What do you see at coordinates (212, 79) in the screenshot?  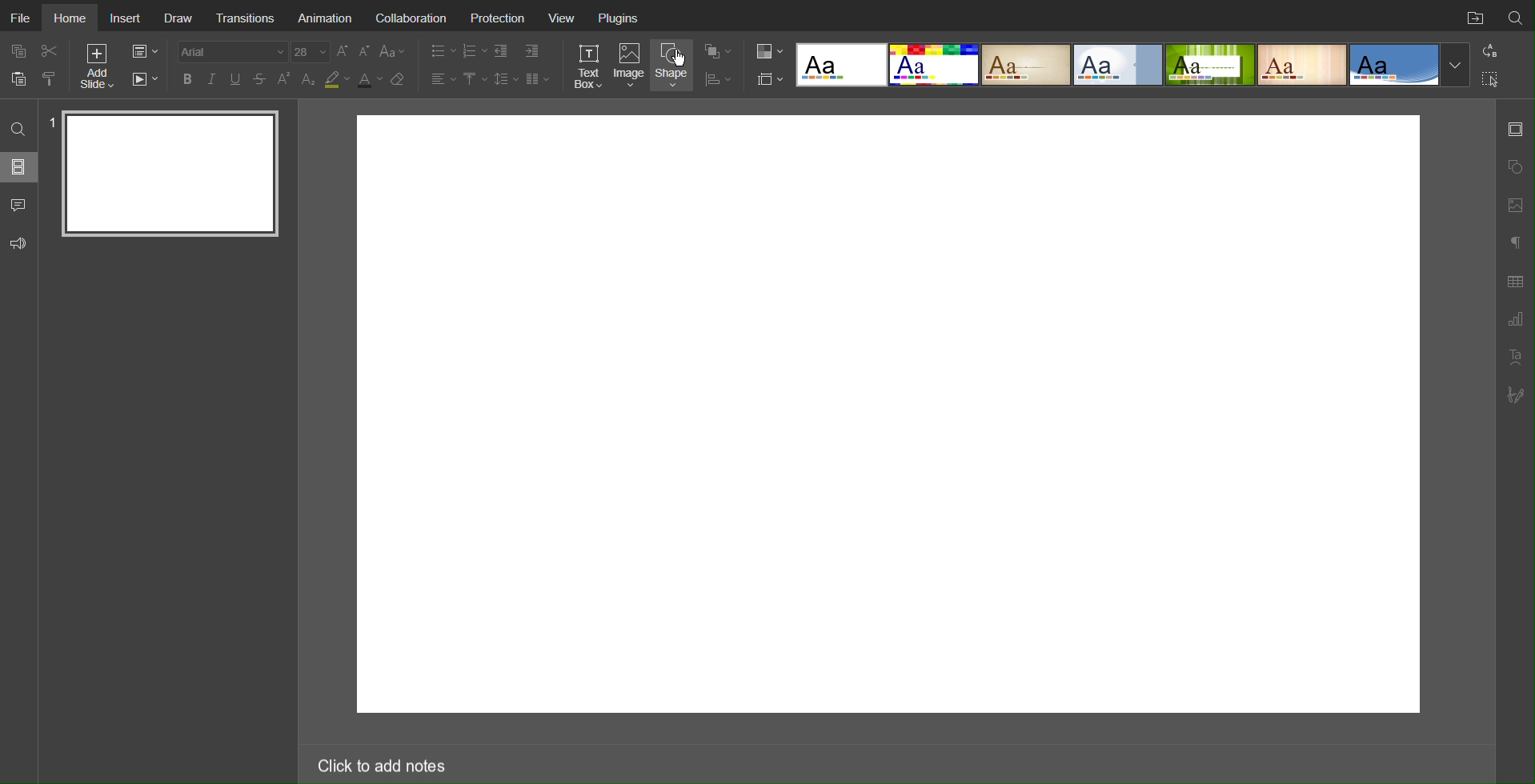 I see `Italics` at bounding box center [212, 79].